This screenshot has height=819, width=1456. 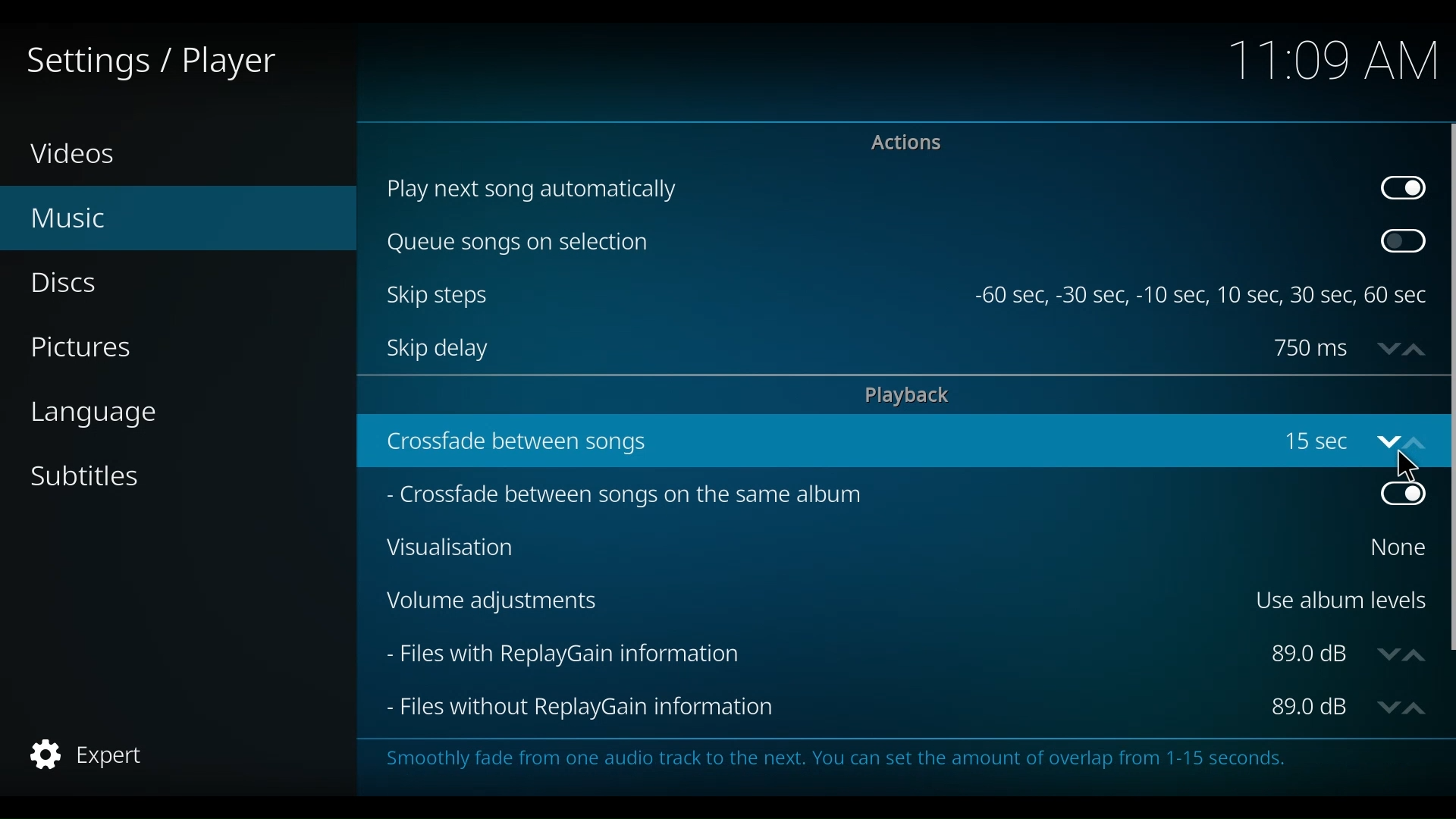 I want to click on Skip delay, so click(x=816, y=348).